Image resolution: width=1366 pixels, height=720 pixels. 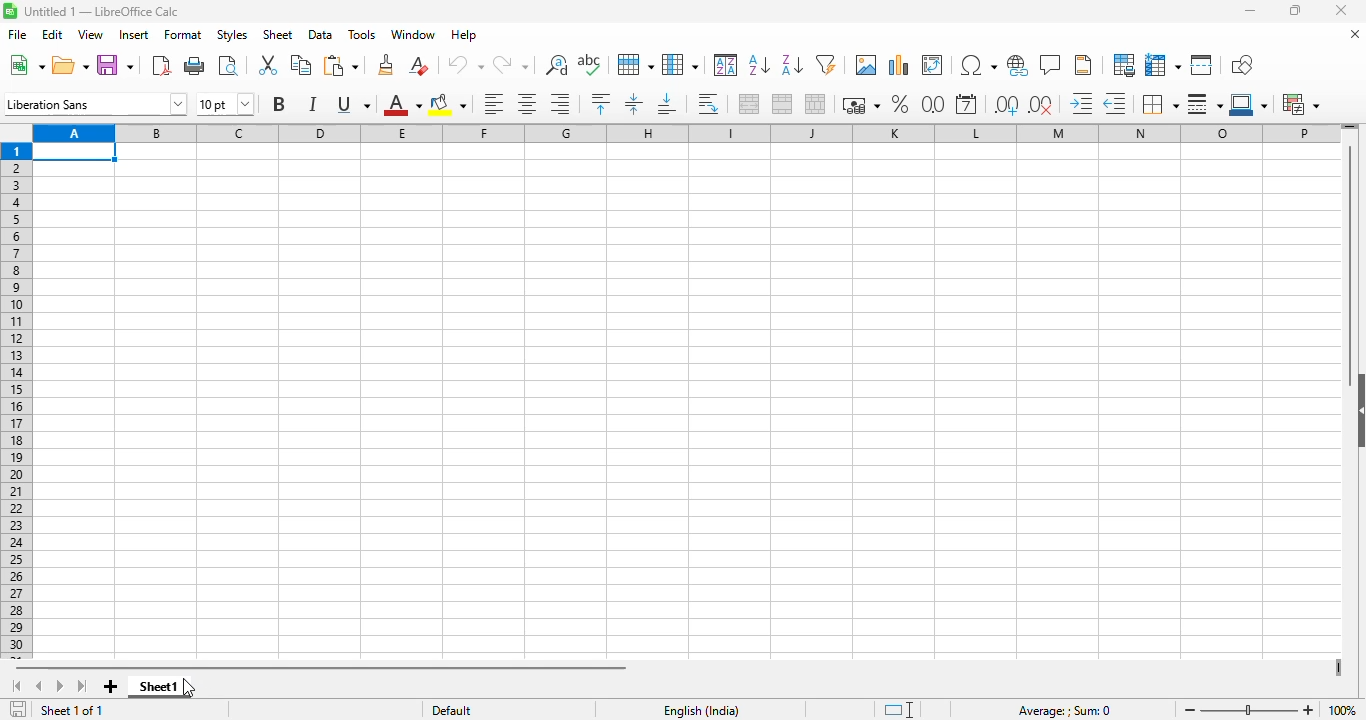 I want to click on italic, so click(x=312, y=104).